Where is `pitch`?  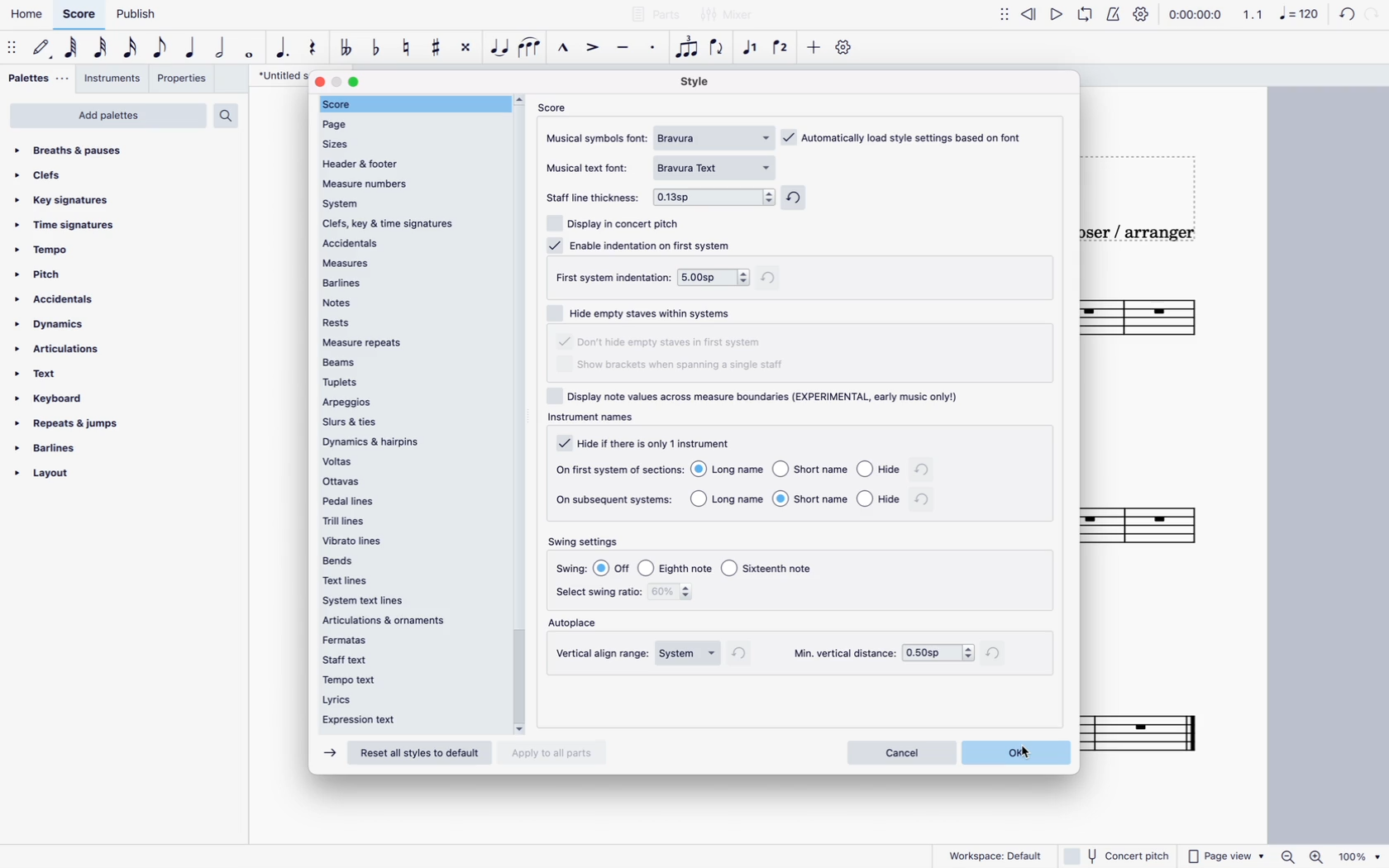 pitch is located at coordinates (59, 276).